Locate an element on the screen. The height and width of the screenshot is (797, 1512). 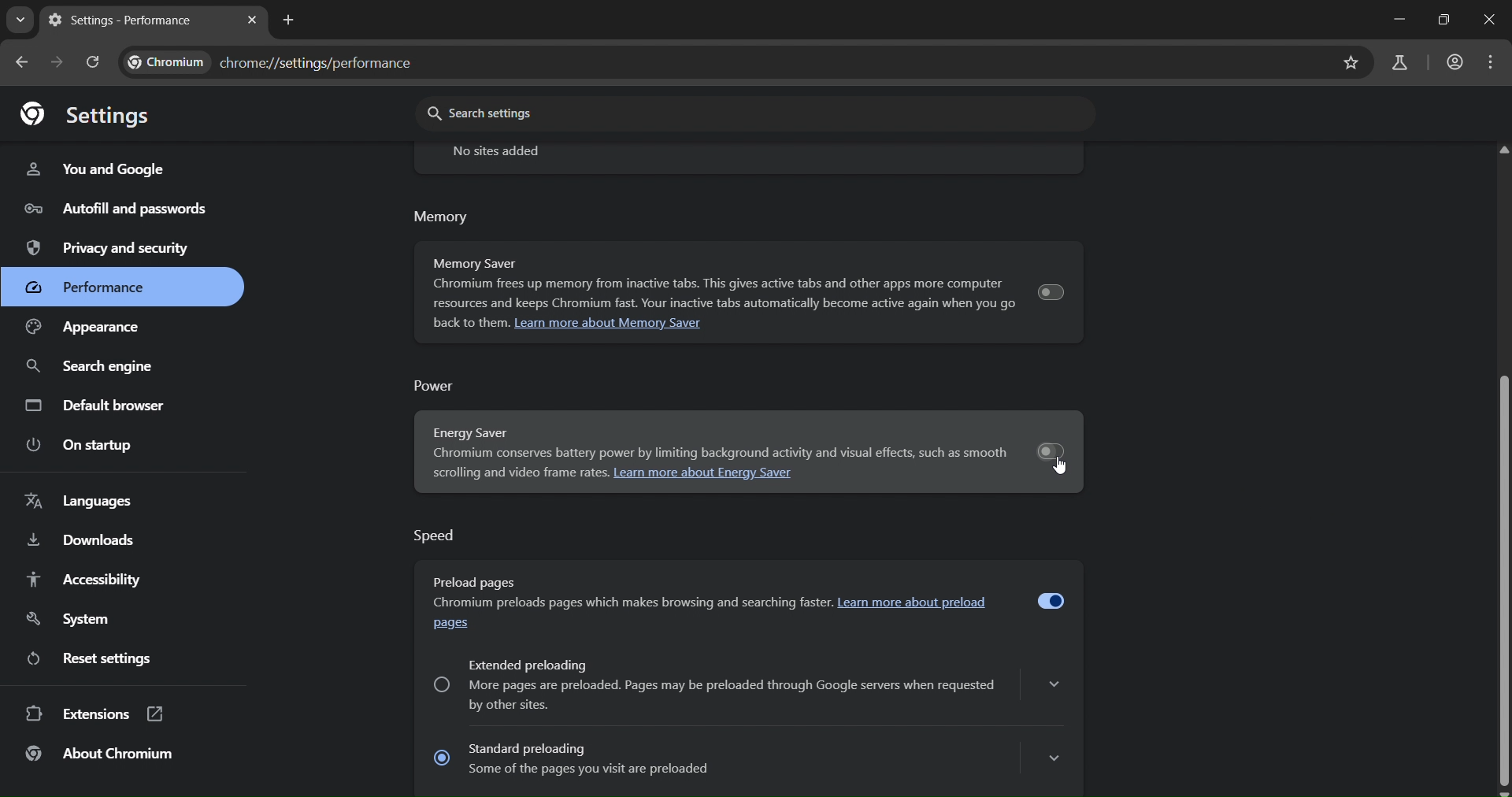
cursor is located at coordinates (1062, 470).